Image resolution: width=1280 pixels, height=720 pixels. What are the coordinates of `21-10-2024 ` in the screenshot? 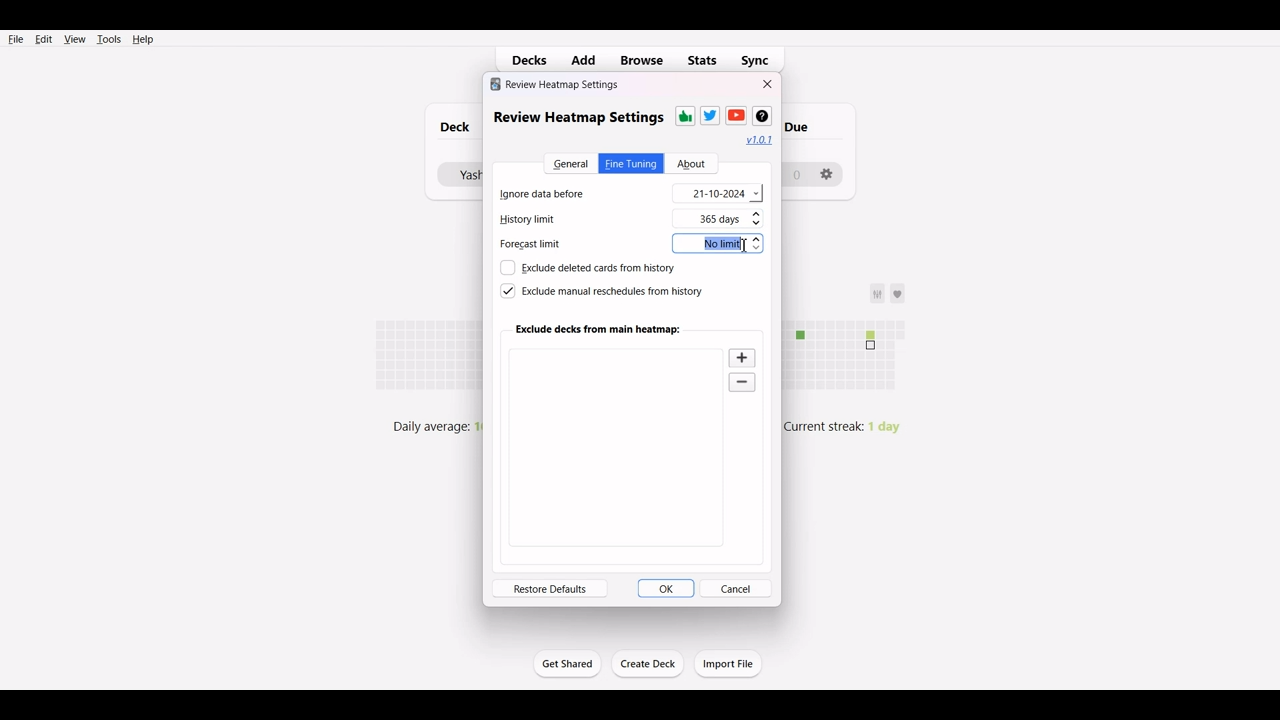 It's located at (718, 193).